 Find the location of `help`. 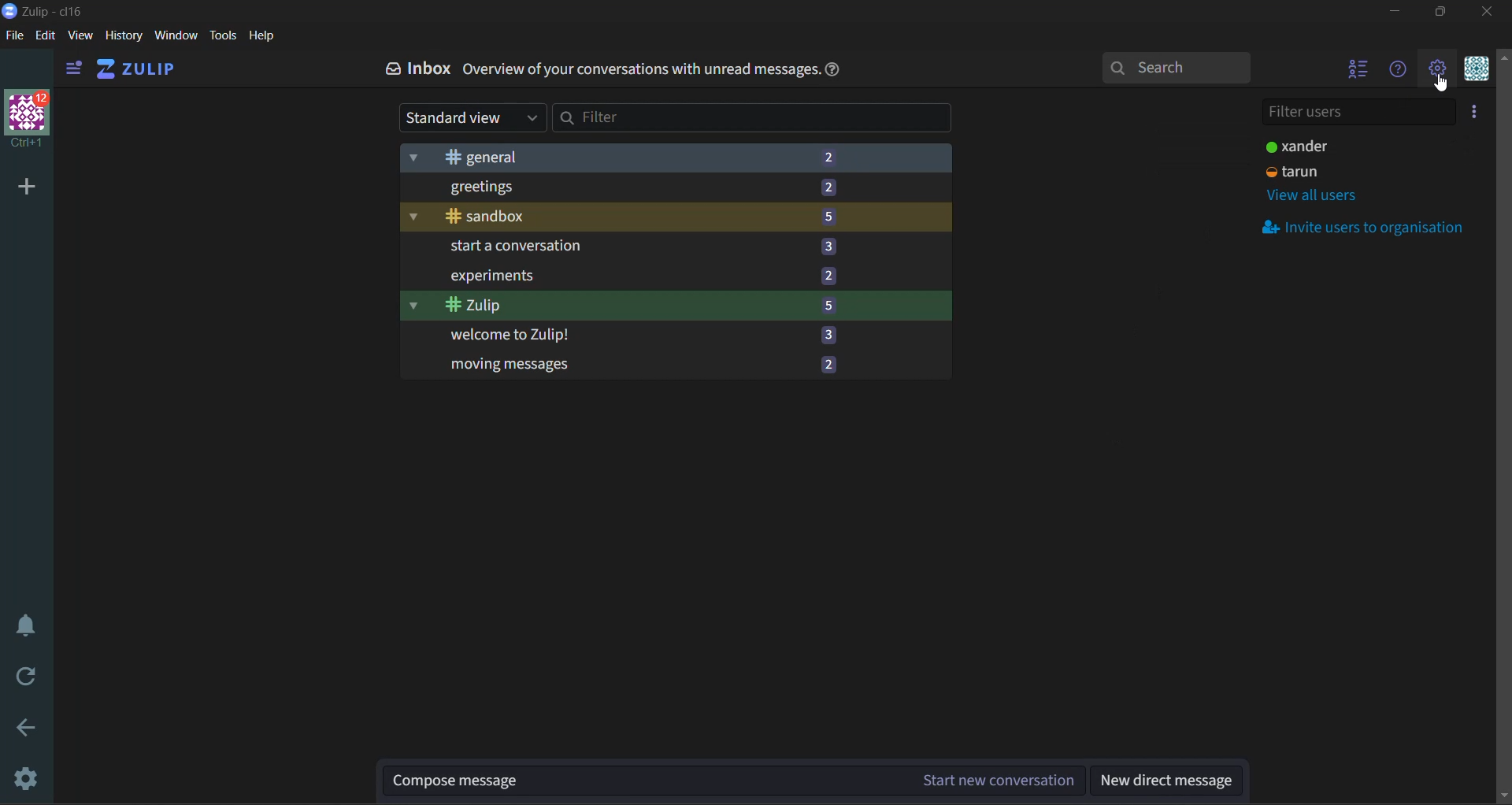

help is located at coordinates (267, 37).